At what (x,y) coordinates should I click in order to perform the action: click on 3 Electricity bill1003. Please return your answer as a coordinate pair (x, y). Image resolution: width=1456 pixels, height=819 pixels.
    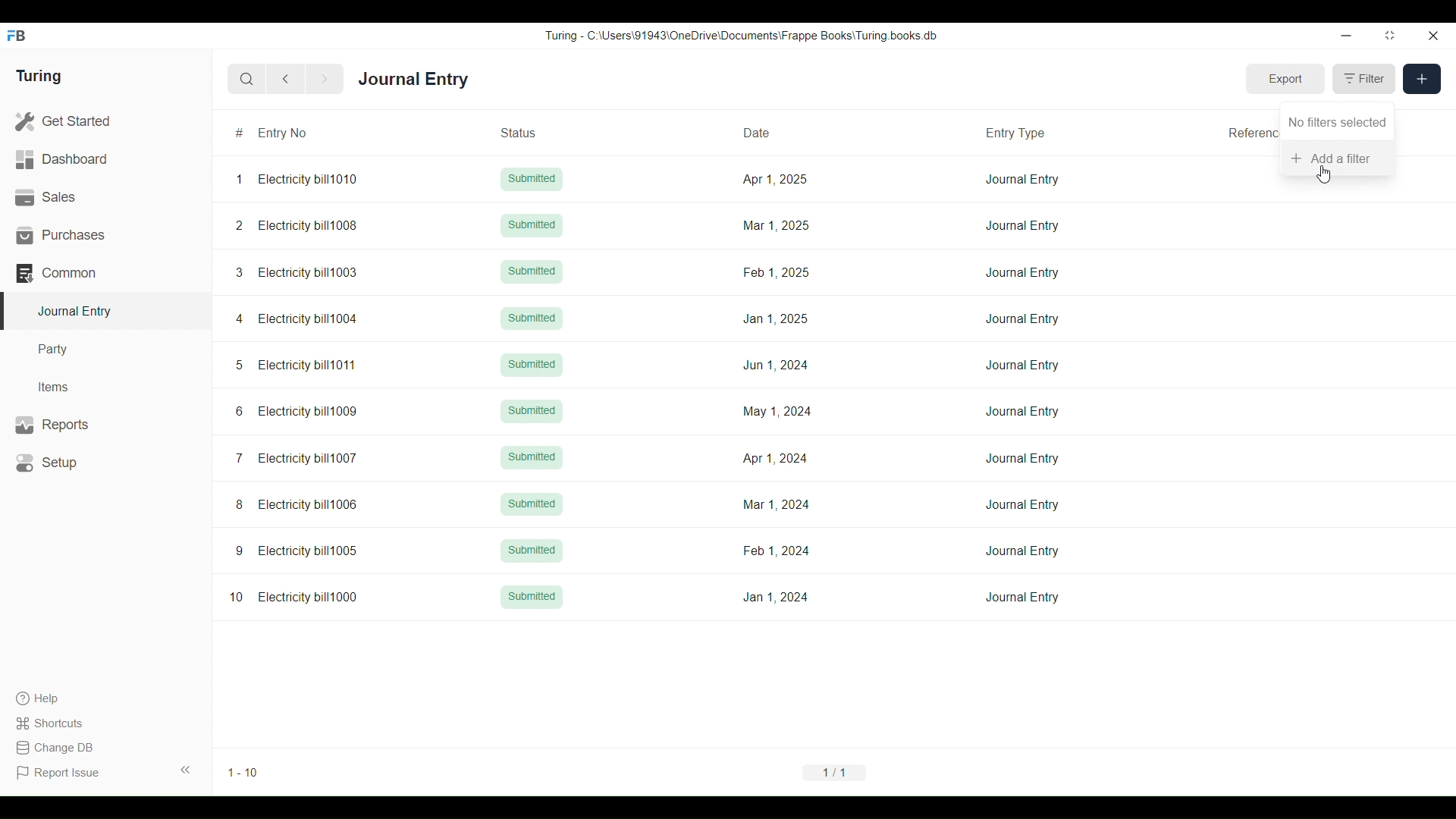
    Looking at the image, I should click on (297, 272).